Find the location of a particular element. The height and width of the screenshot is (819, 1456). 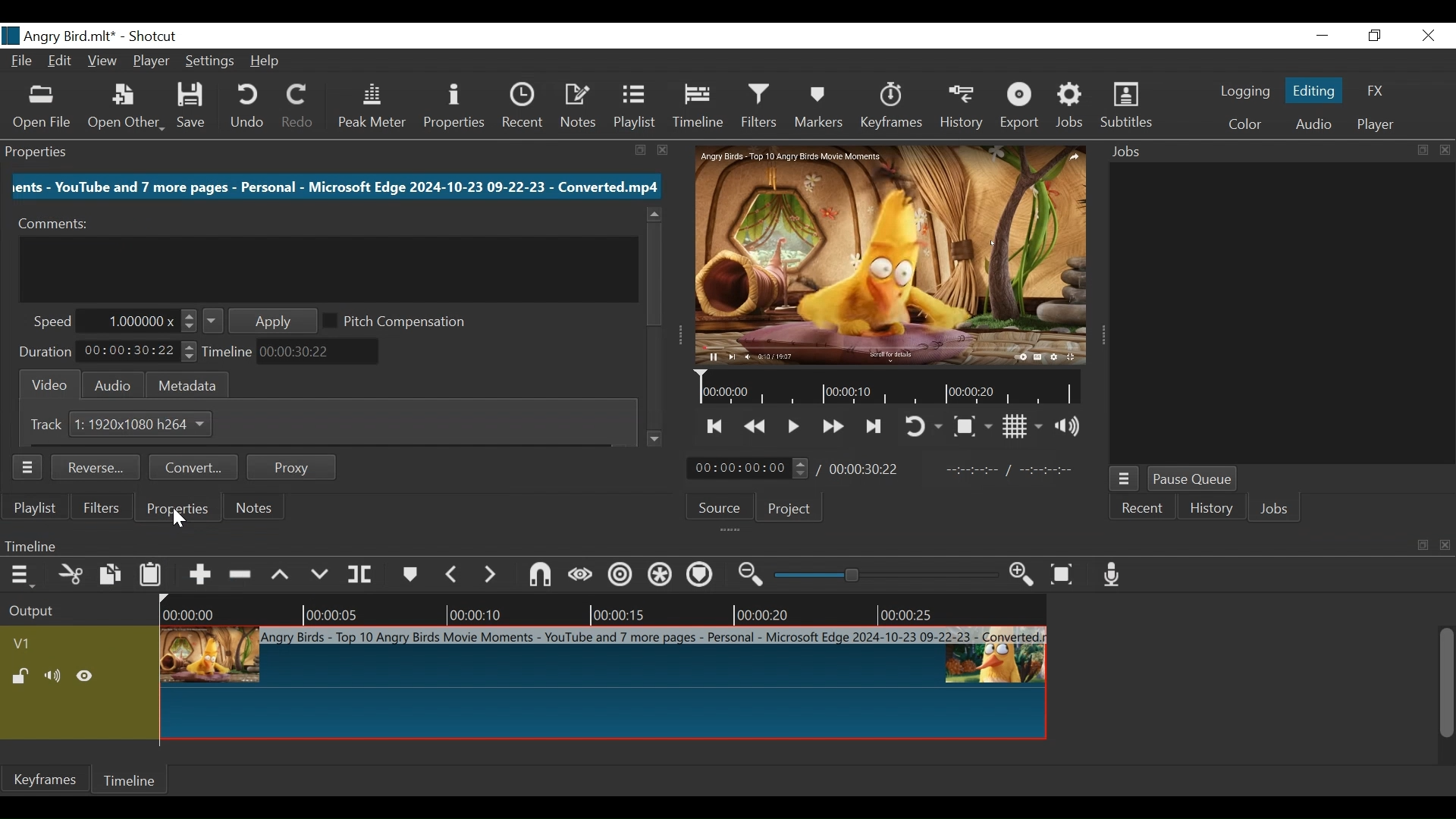

Edit is located at coordinates (62, 61).